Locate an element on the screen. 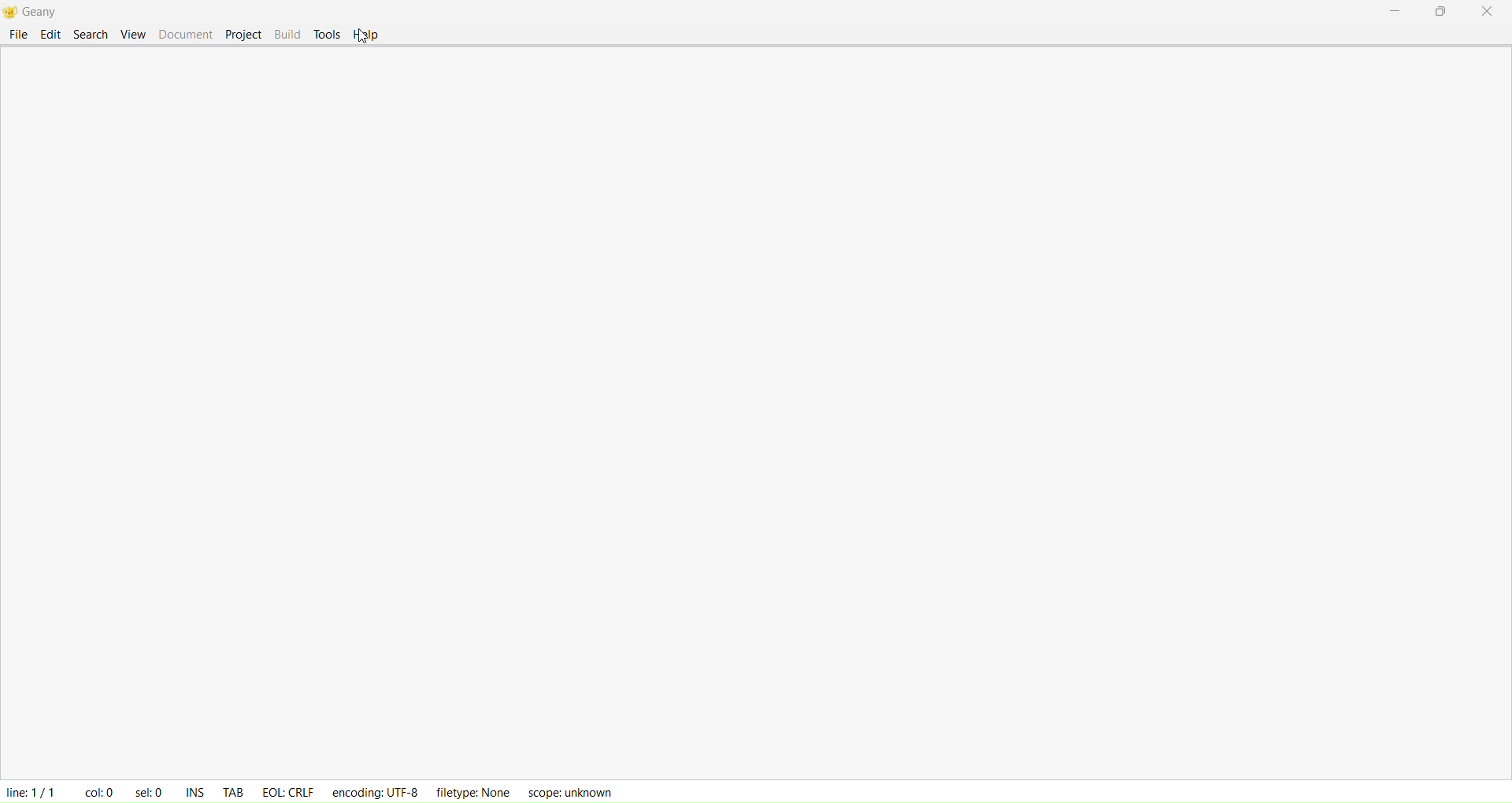 This screenshot has width=1512, height=803. file is located at coordinates (17, 34).